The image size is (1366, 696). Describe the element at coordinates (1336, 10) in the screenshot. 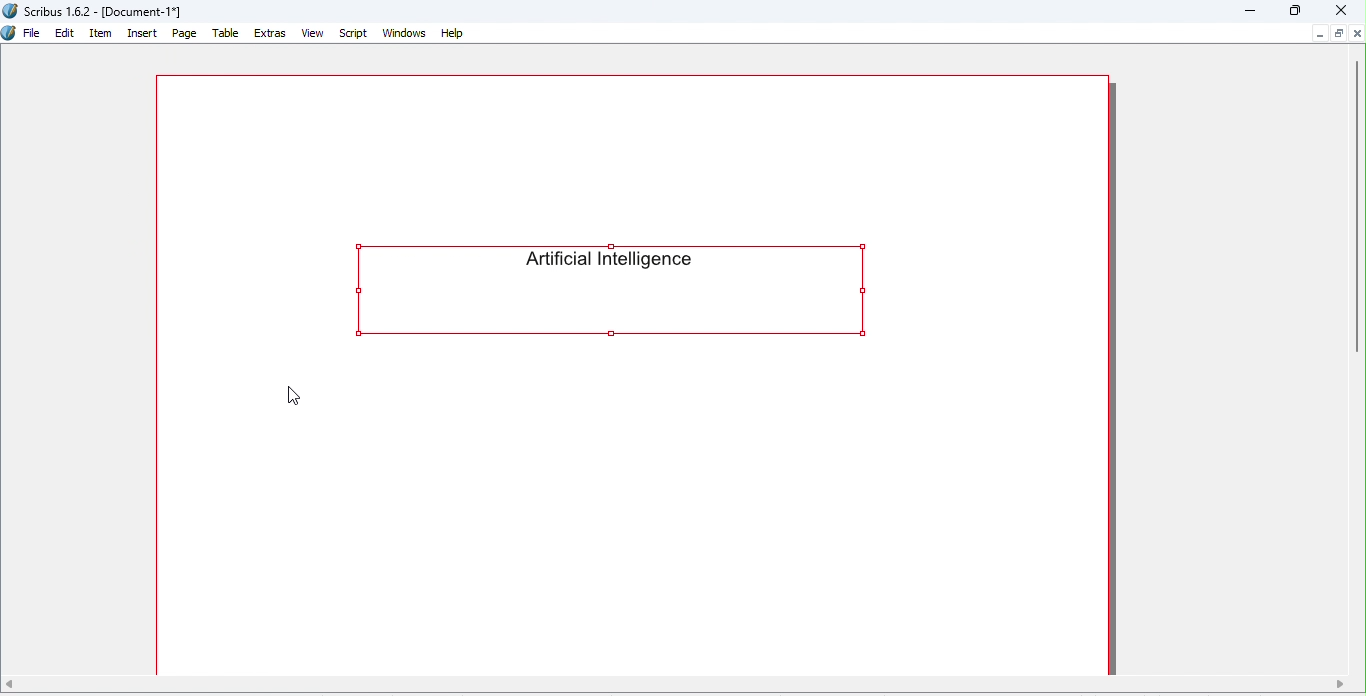

I see `Close` at that location.